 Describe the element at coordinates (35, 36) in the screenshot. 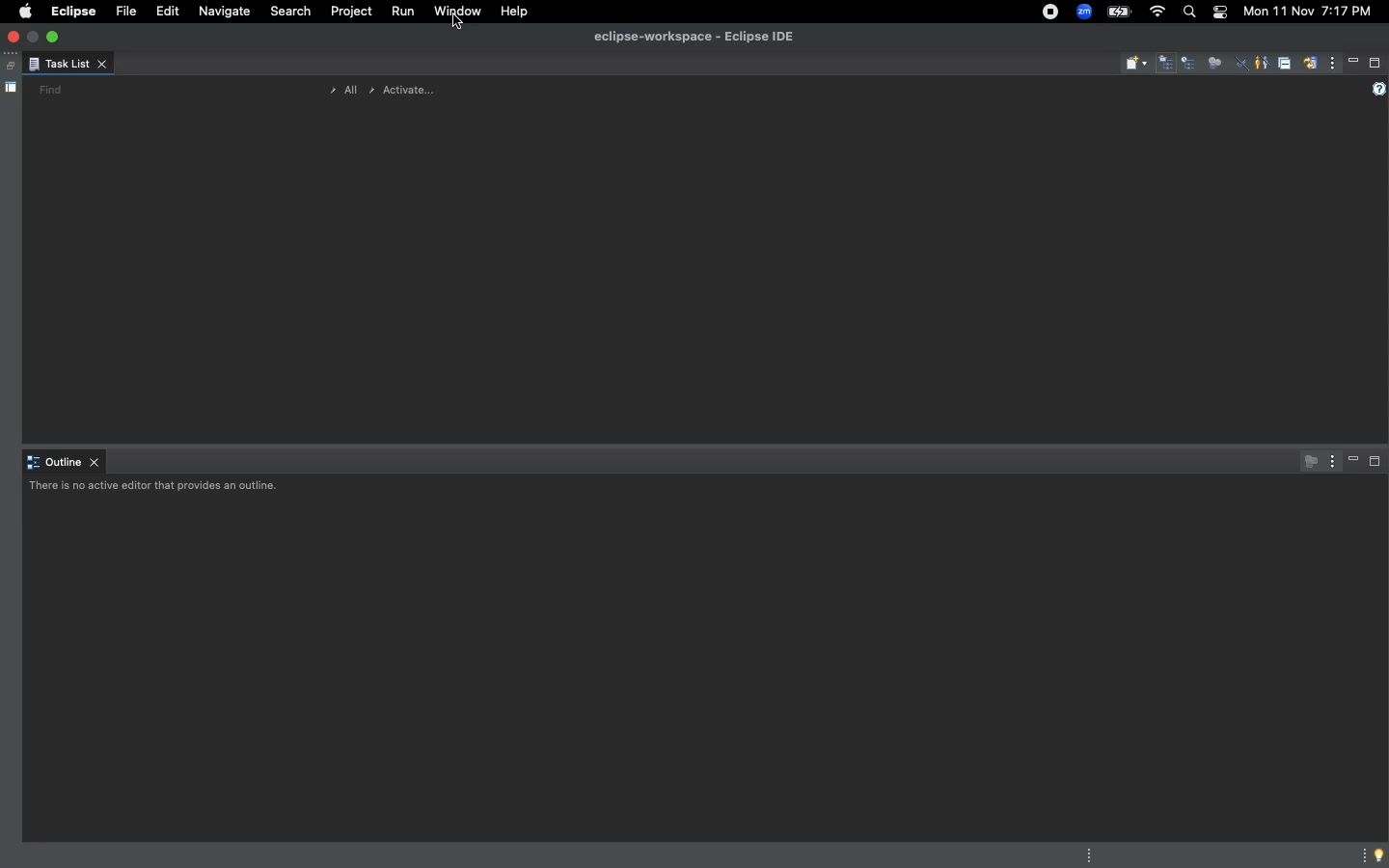

I see `minimize` at that location.